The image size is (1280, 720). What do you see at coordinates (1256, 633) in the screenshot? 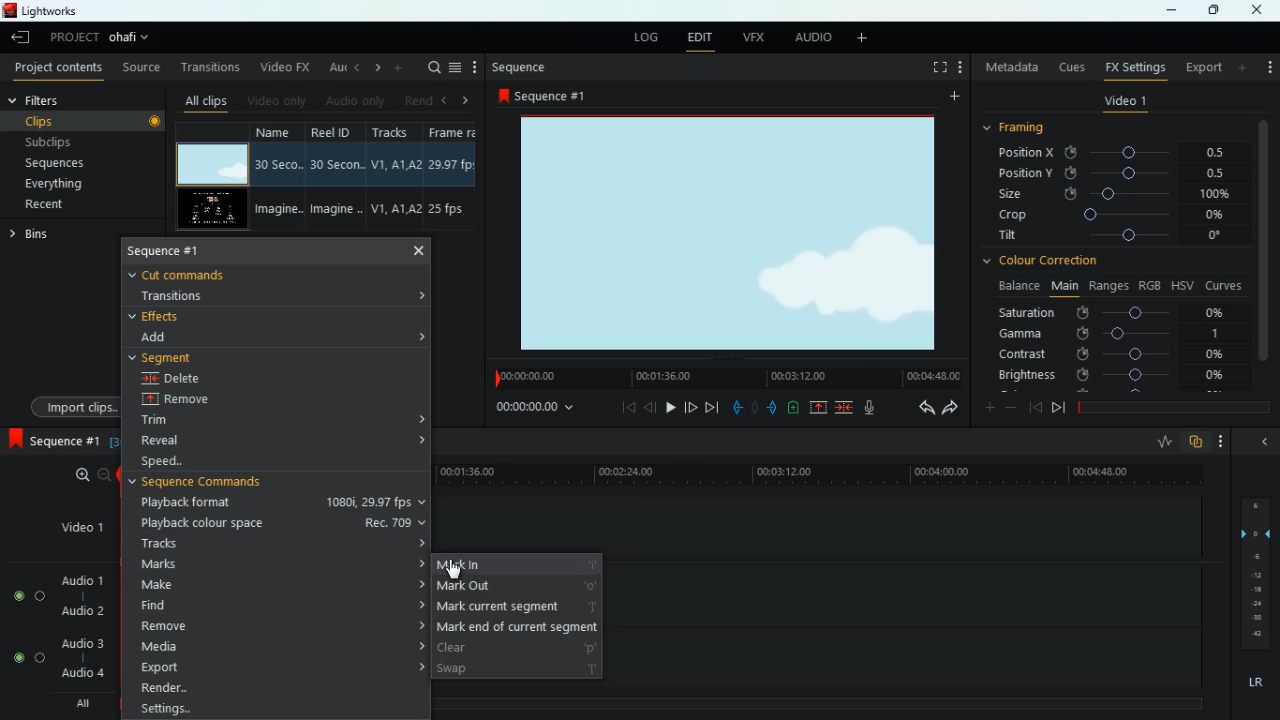
I see `-42 (layer)` at bounding box center [1256, 633].